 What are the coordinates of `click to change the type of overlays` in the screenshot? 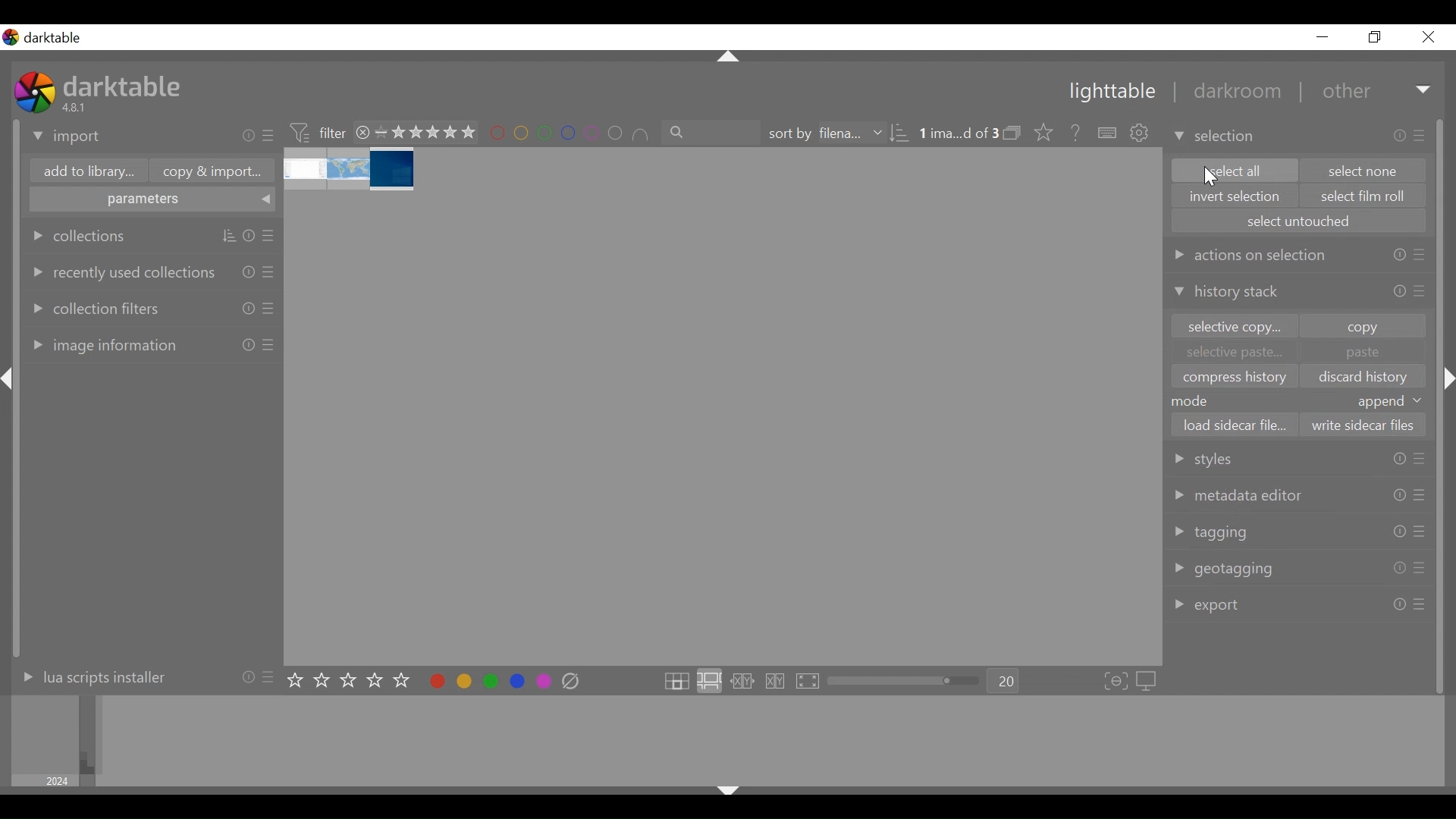 It's located at (1040, 131).